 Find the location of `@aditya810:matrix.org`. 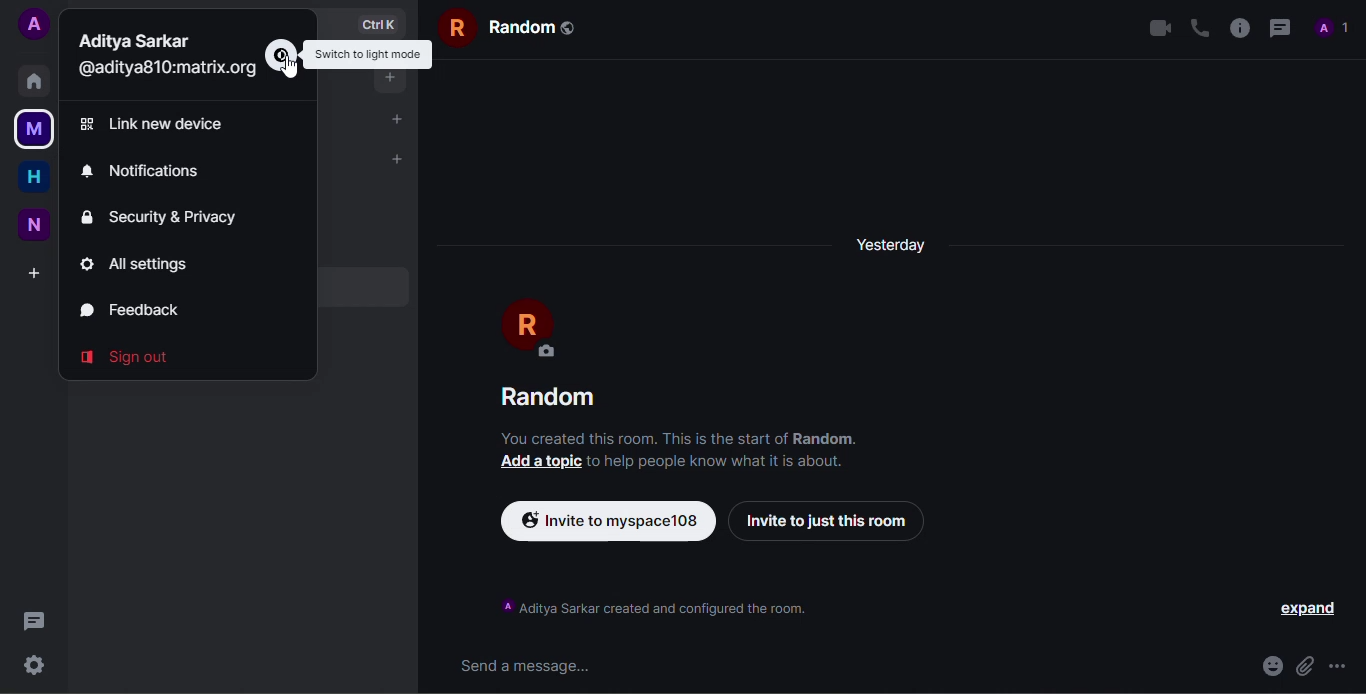

@aditya810:matrix.org is located at coordinates (173, 72).